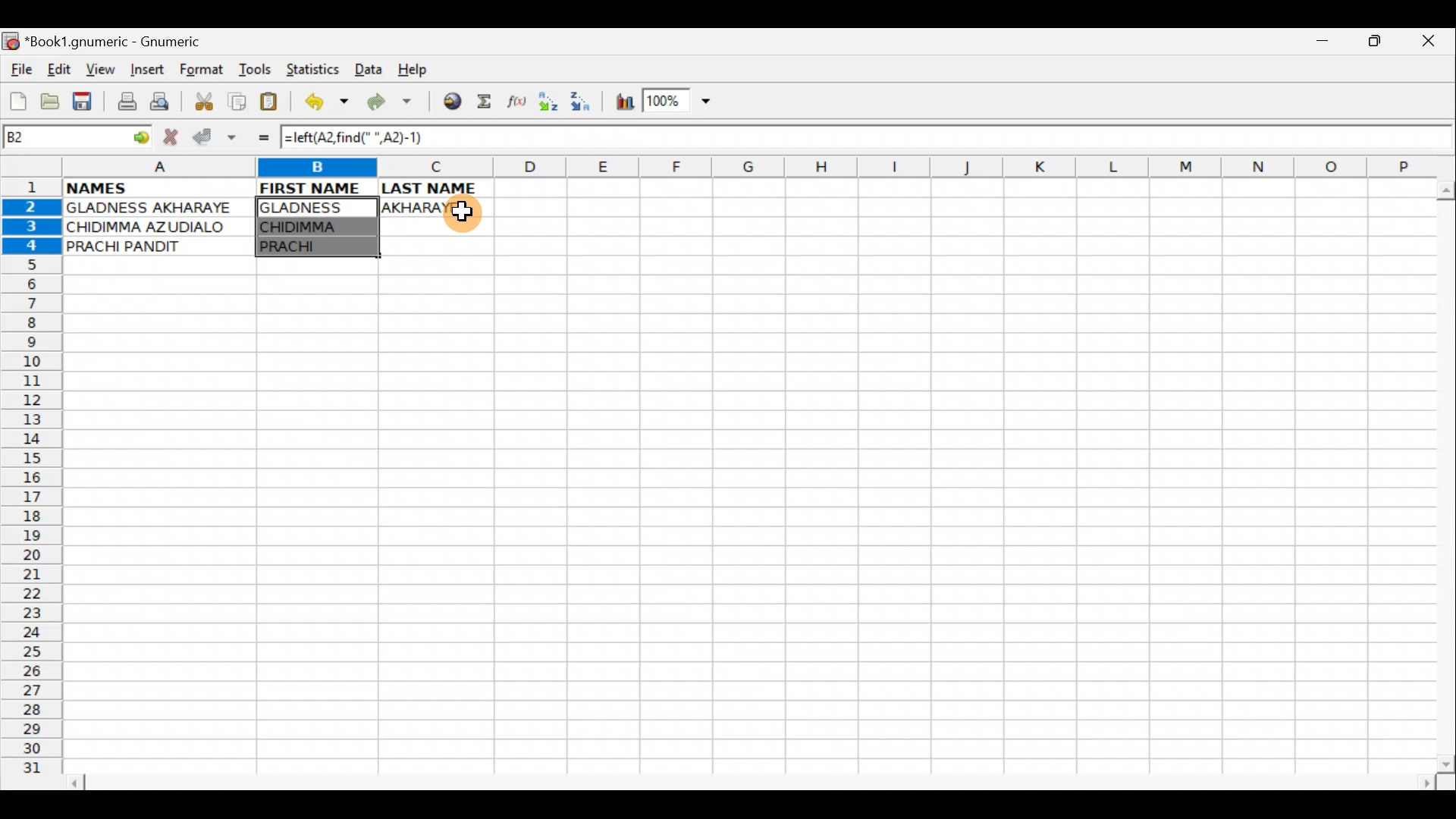 This screenshot has height=819, width=1456. I want to click on Accept change, so click(215, 137).